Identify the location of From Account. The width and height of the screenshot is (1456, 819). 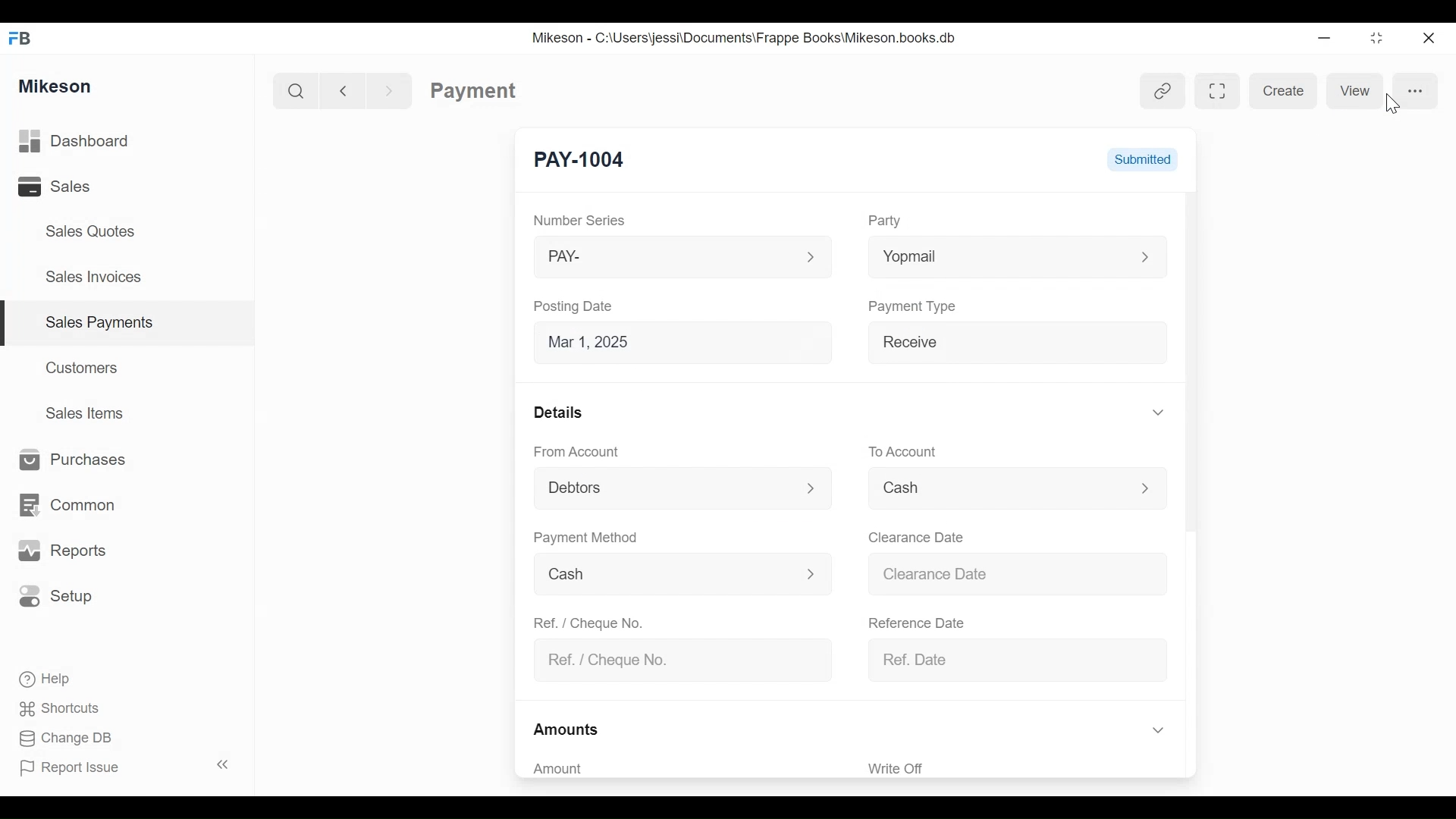
(685, 489).